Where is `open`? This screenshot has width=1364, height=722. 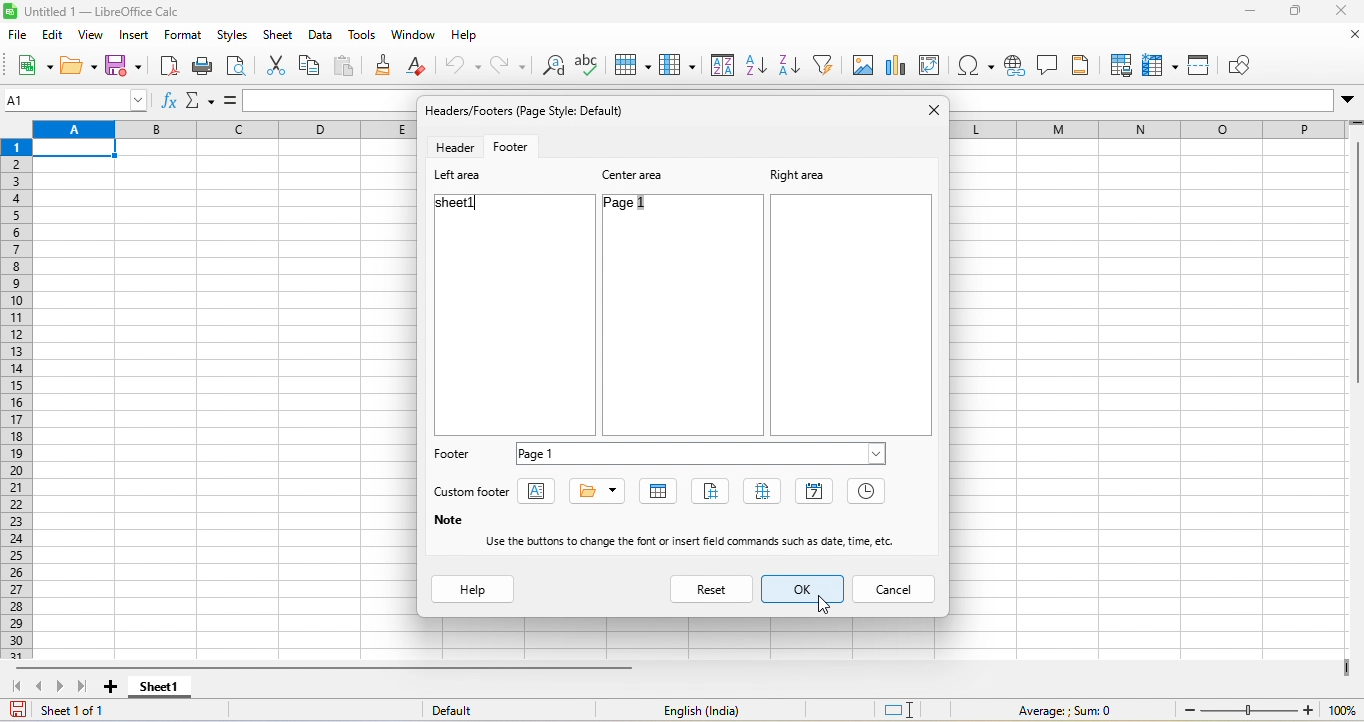 open is located at coordinates (75, 65).